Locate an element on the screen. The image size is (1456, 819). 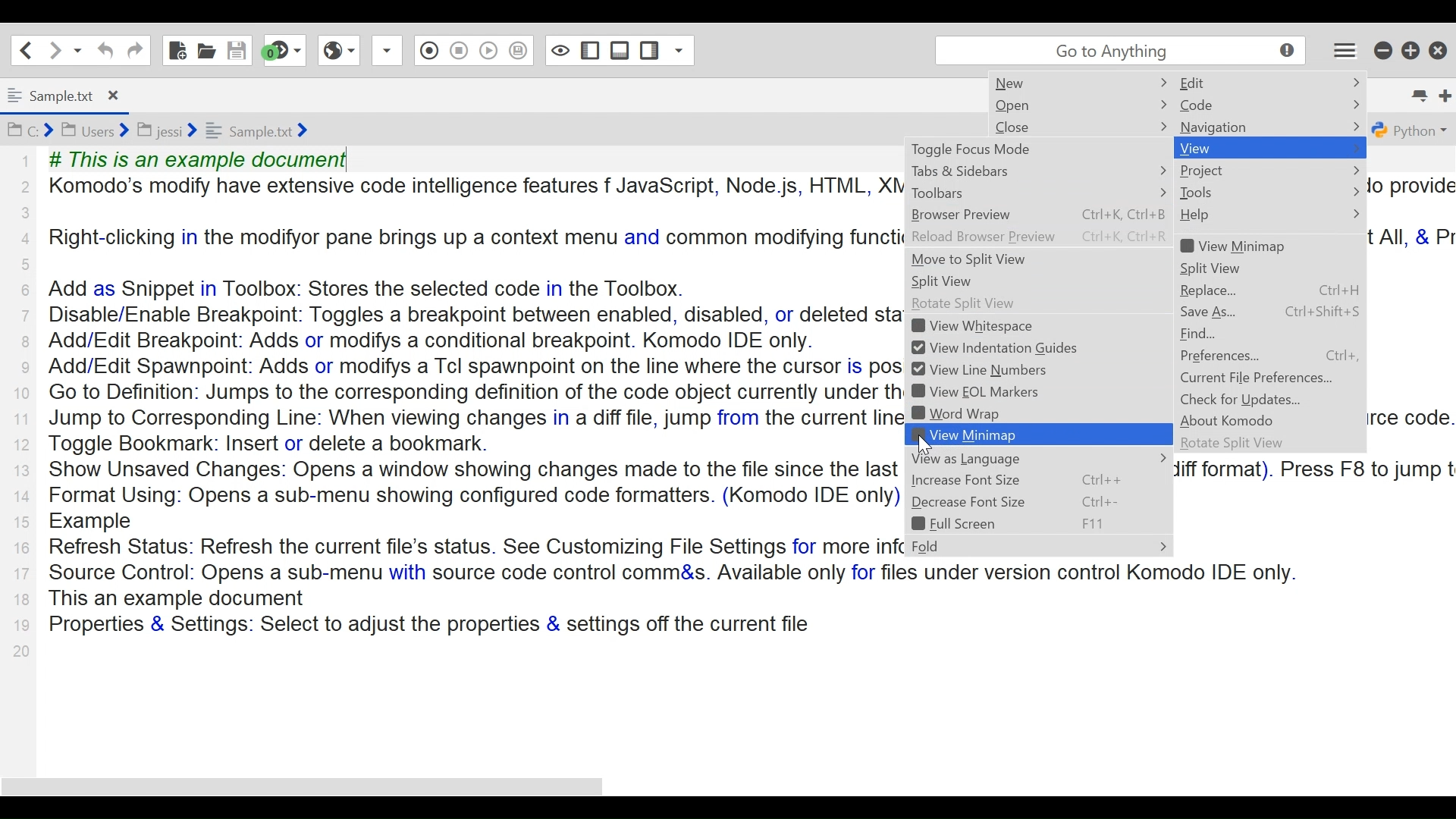
Cursor is located at coordinates (1348, 155).